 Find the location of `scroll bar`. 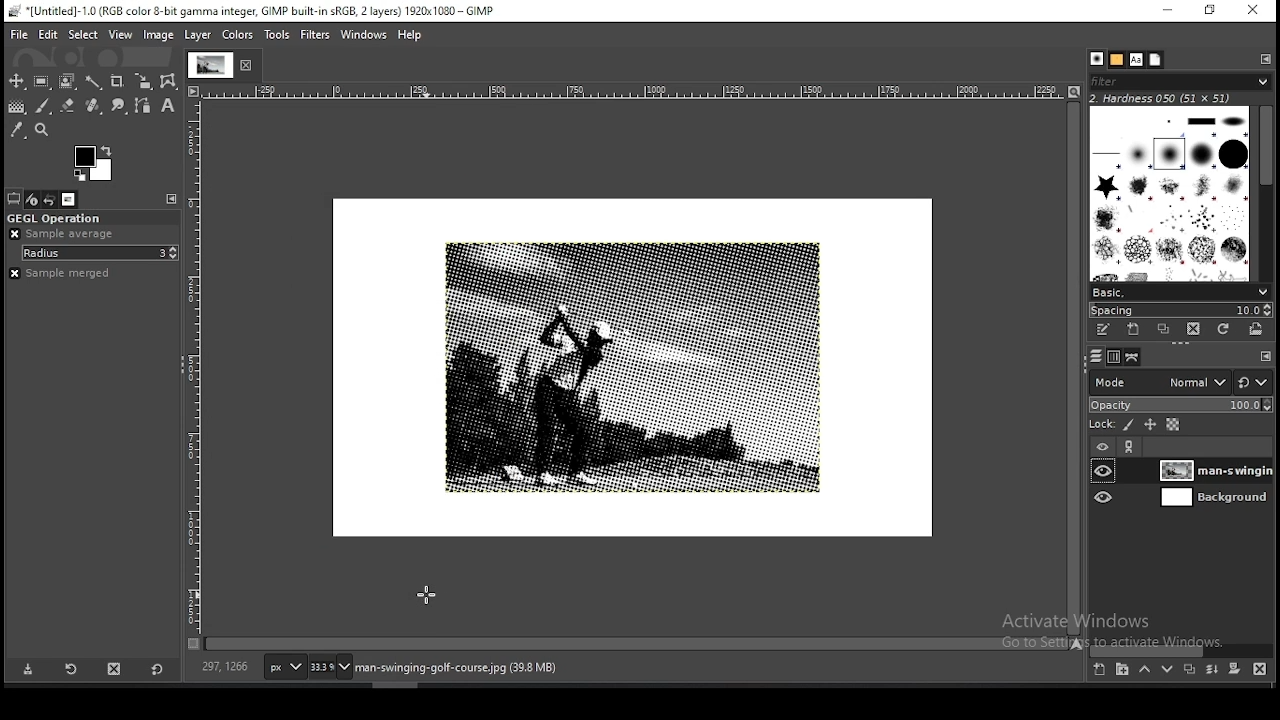

scroll bar is located at coordinates (637, 645).